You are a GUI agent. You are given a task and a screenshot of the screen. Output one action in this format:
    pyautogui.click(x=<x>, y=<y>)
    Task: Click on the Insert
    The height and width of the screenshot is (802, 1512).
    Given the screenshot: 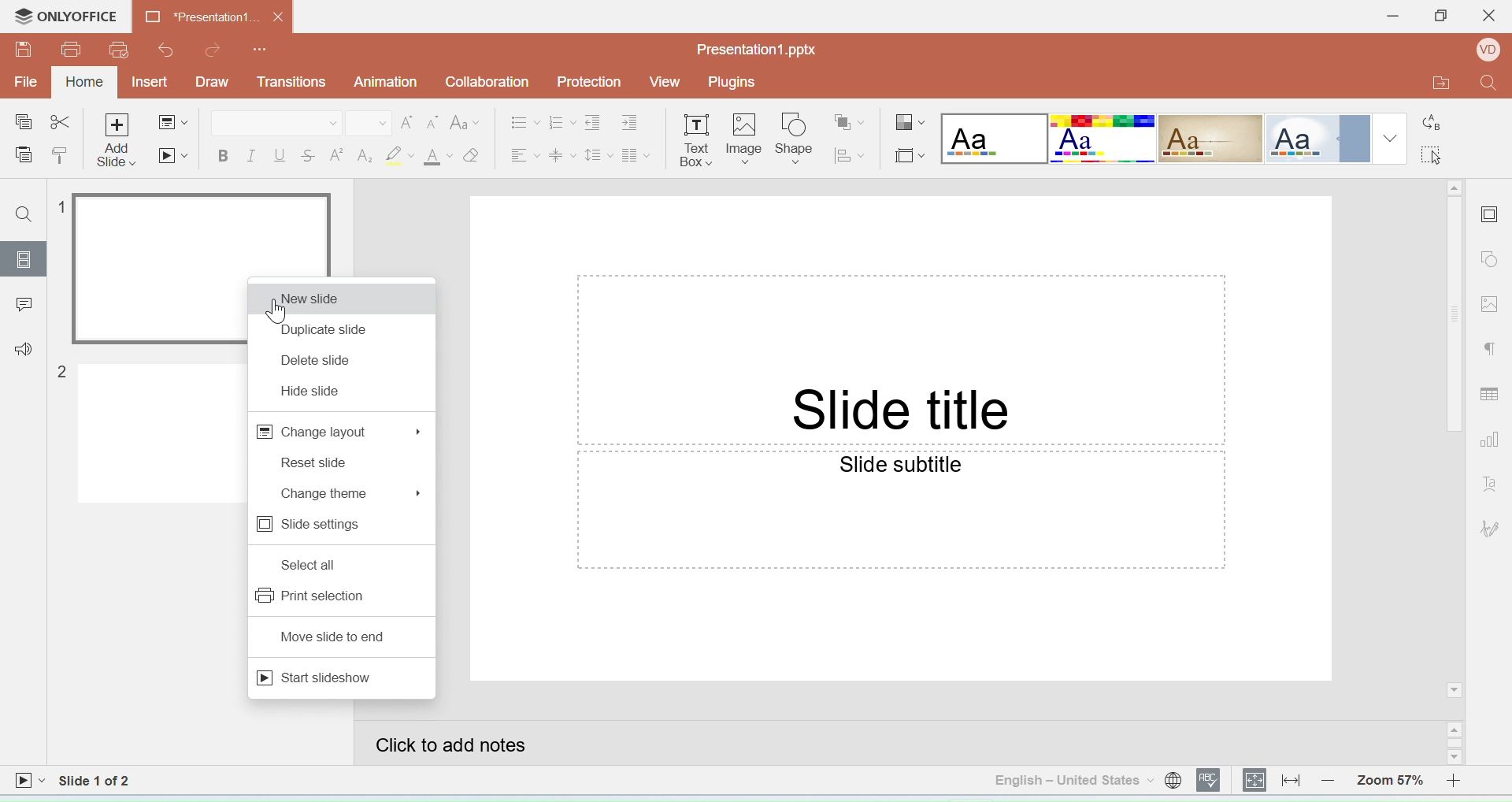 What is the action you would take?
    pyautogui.click(x=153, y=83)
    